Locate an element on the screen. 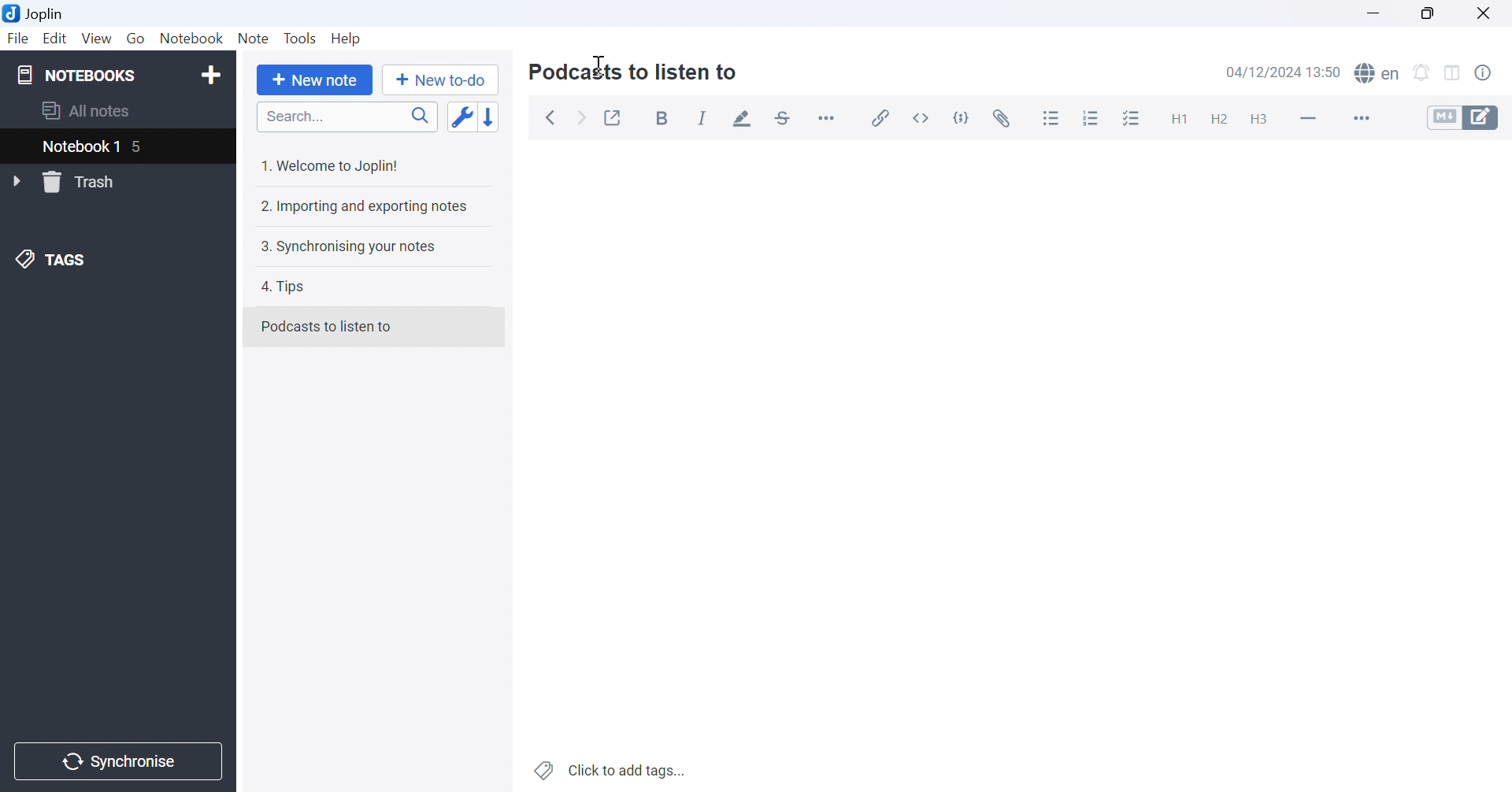  Toggle sort order field is located at coordinates (461, 117).